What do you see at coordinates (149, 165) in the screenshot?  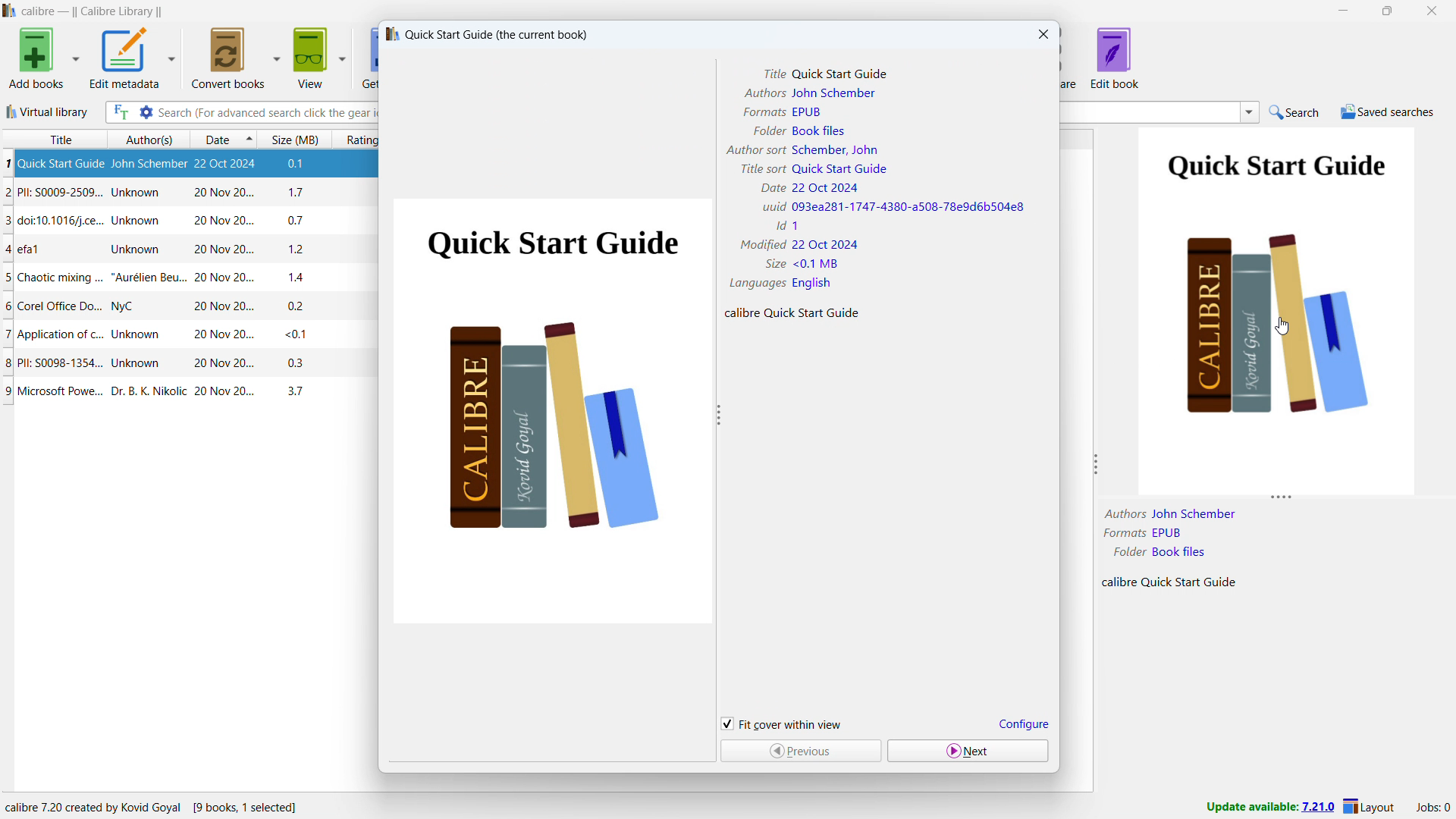 I see `John Schember` at bounding box center [149, 165].